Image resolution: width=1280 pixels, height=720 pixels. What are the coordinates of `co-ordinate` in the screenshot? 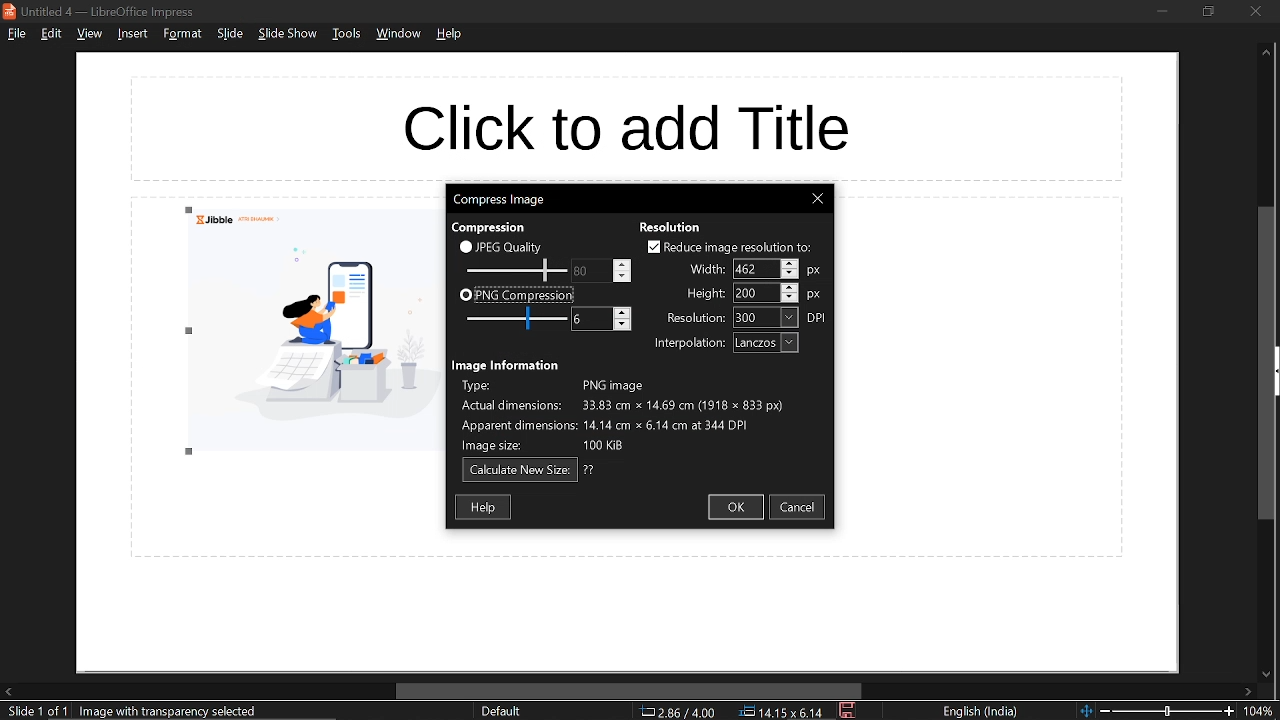 It's located at (678, 711).